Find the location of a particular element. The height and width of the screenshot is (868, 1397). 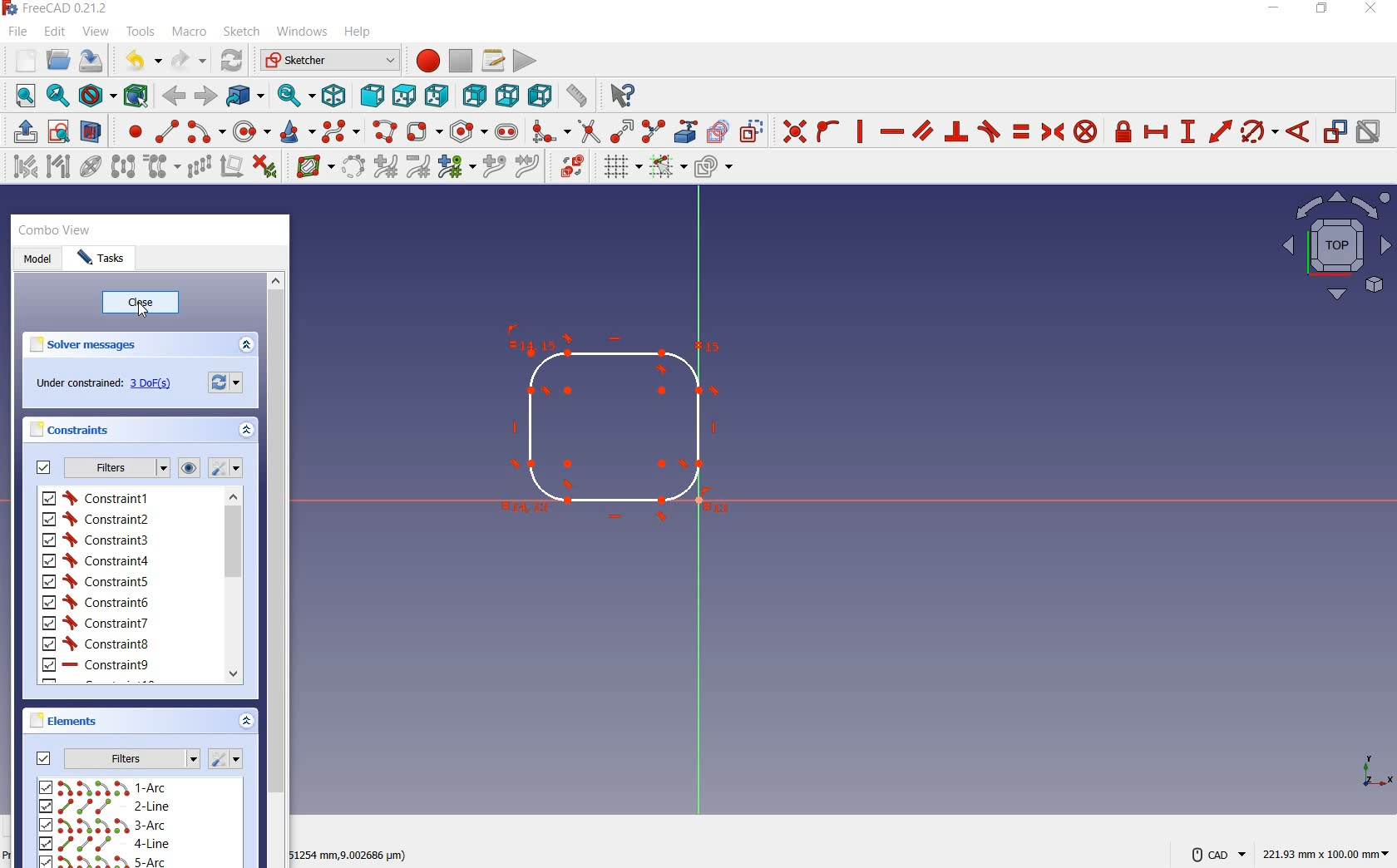

decrease b-spline degree is located at coordinates (417, 167).